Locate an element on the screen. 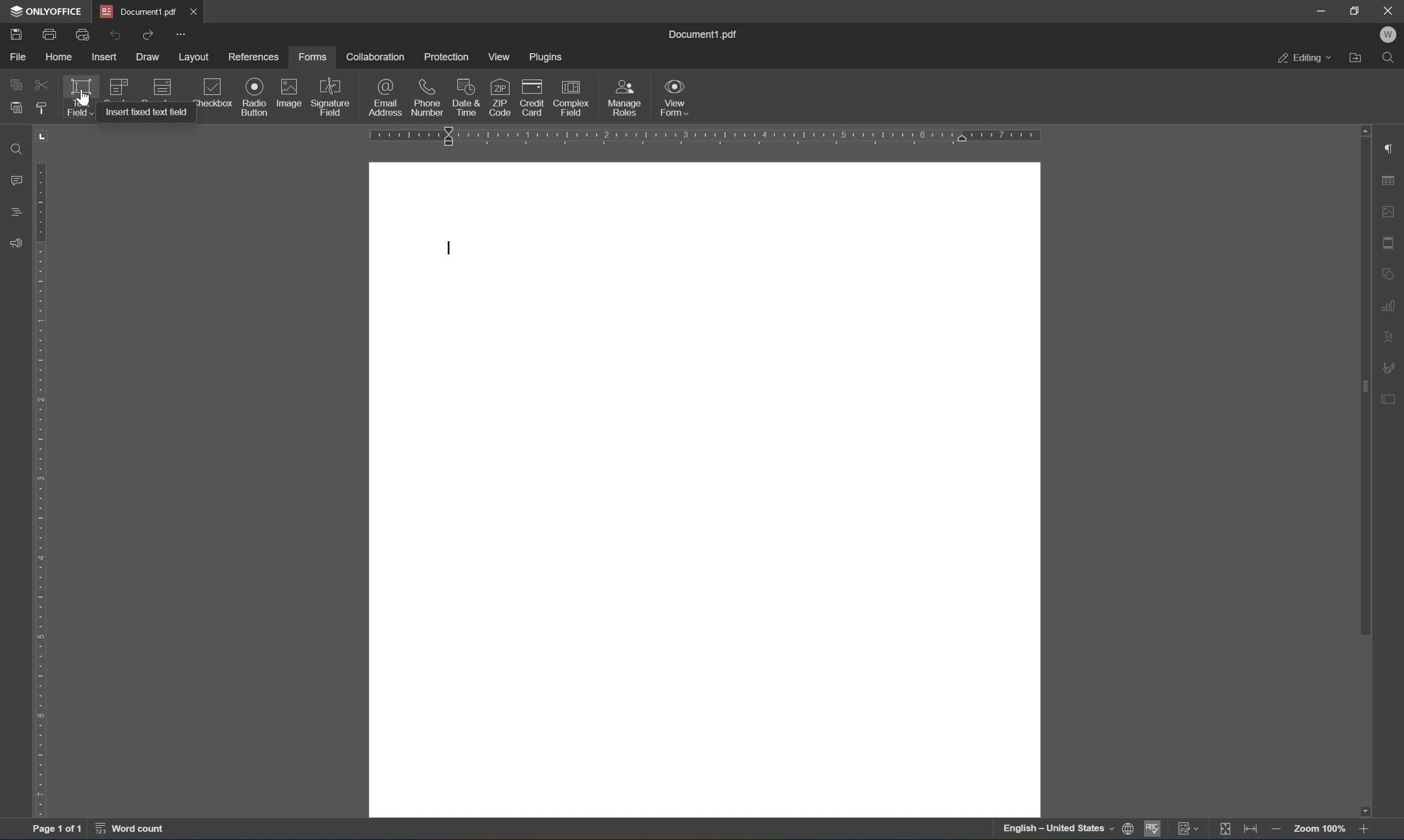  icon is located at coordinates (121, 84).